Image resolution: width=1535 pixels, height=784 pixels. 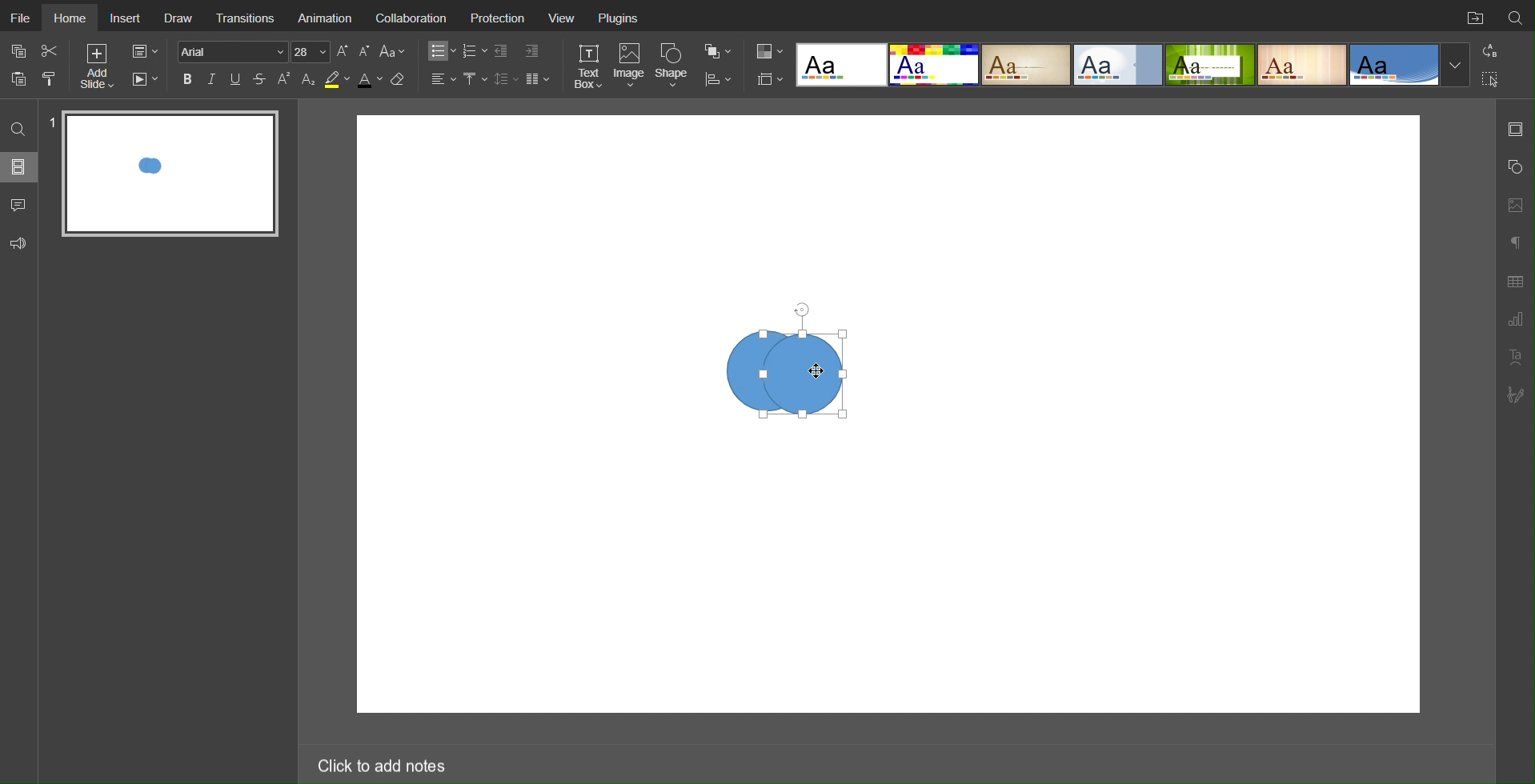 I want to click on Moved Circle, so click(x=809, y=376).